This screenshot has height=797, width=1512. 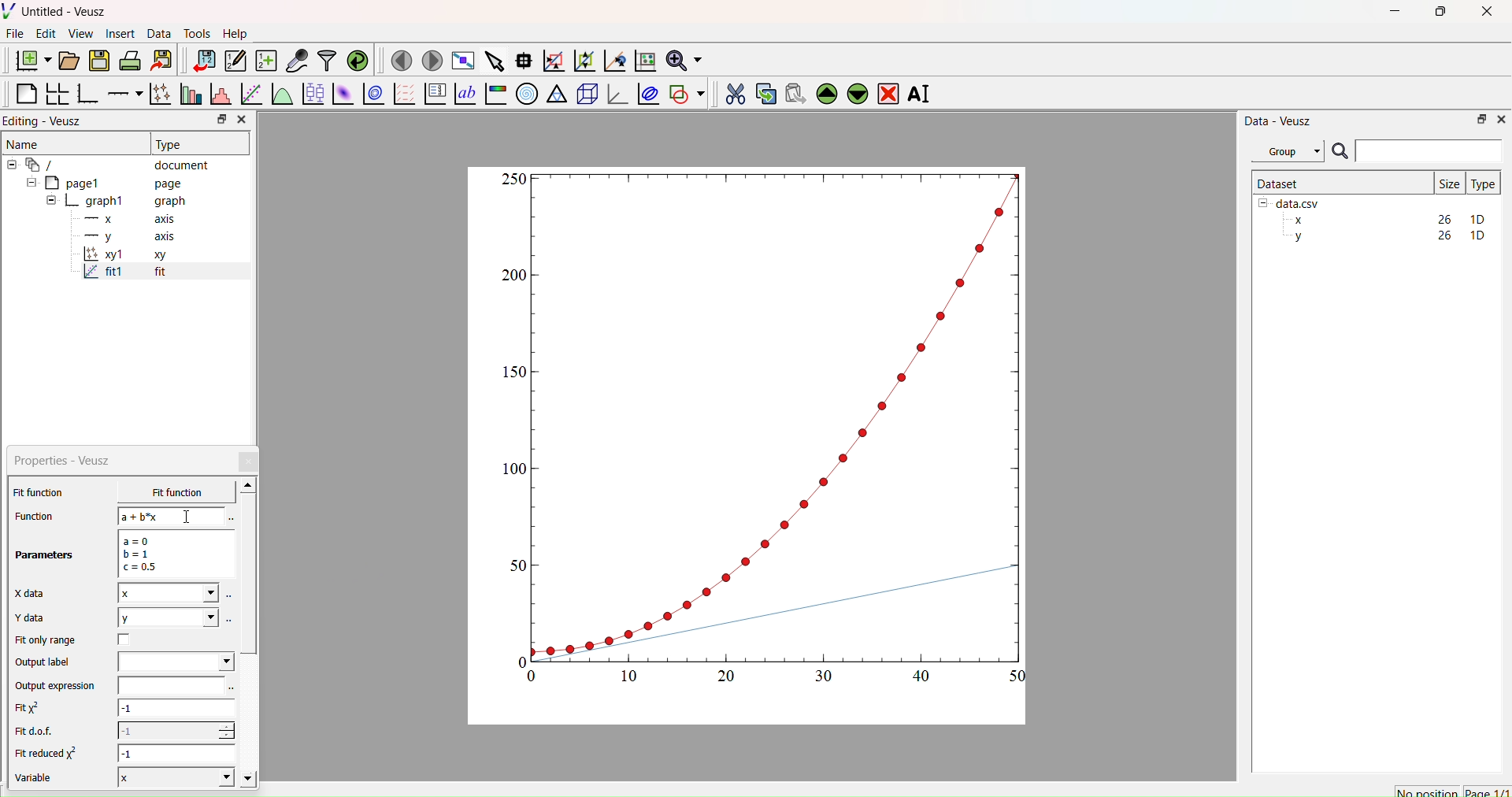 I want to click on Reload linked dataset, so click(x=356, y=59).